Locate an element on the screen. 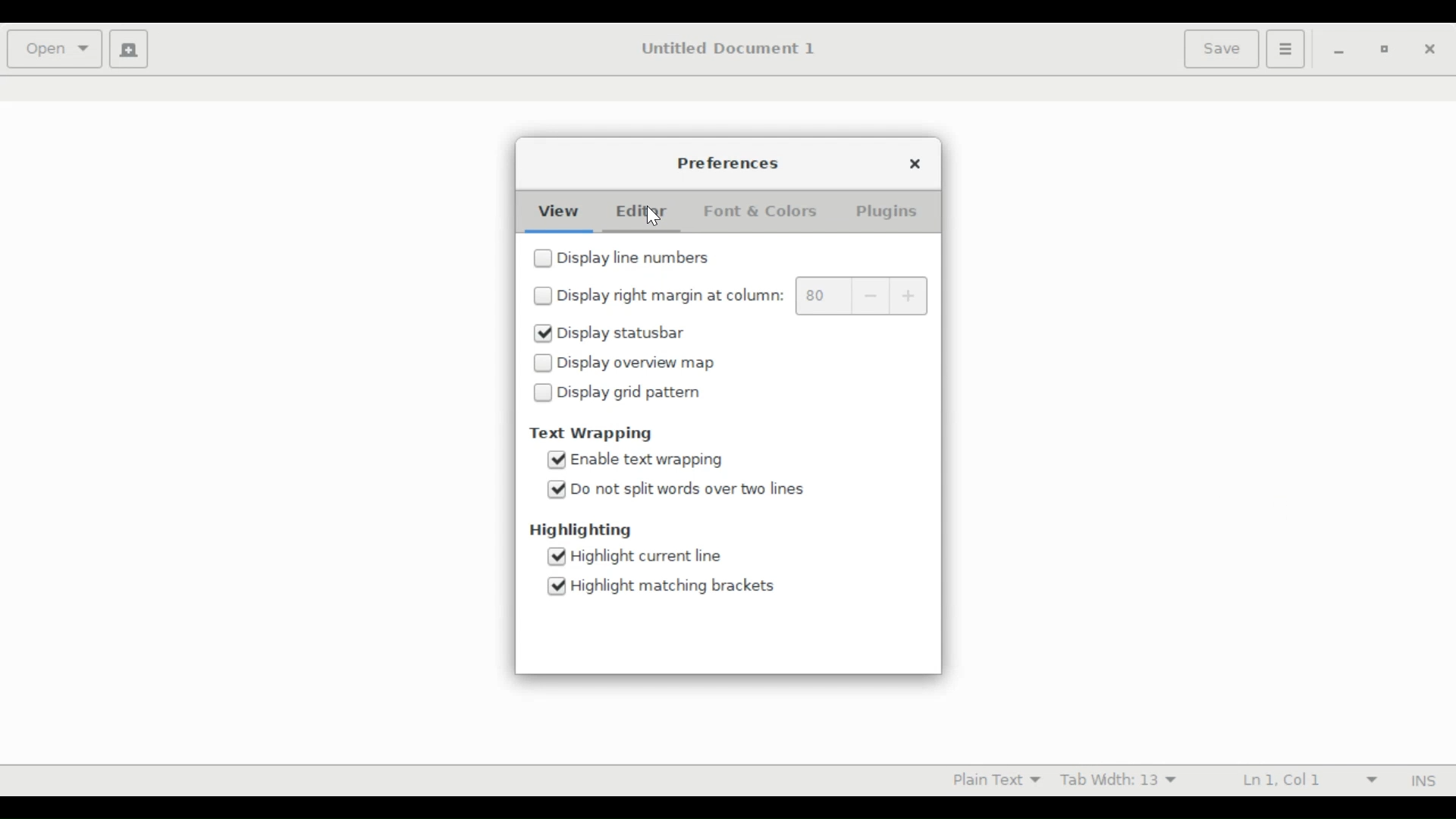 Image resolution: width=1456 pixels, height=819 pixels. Text Wrapping is located at coordinates (595, 435).